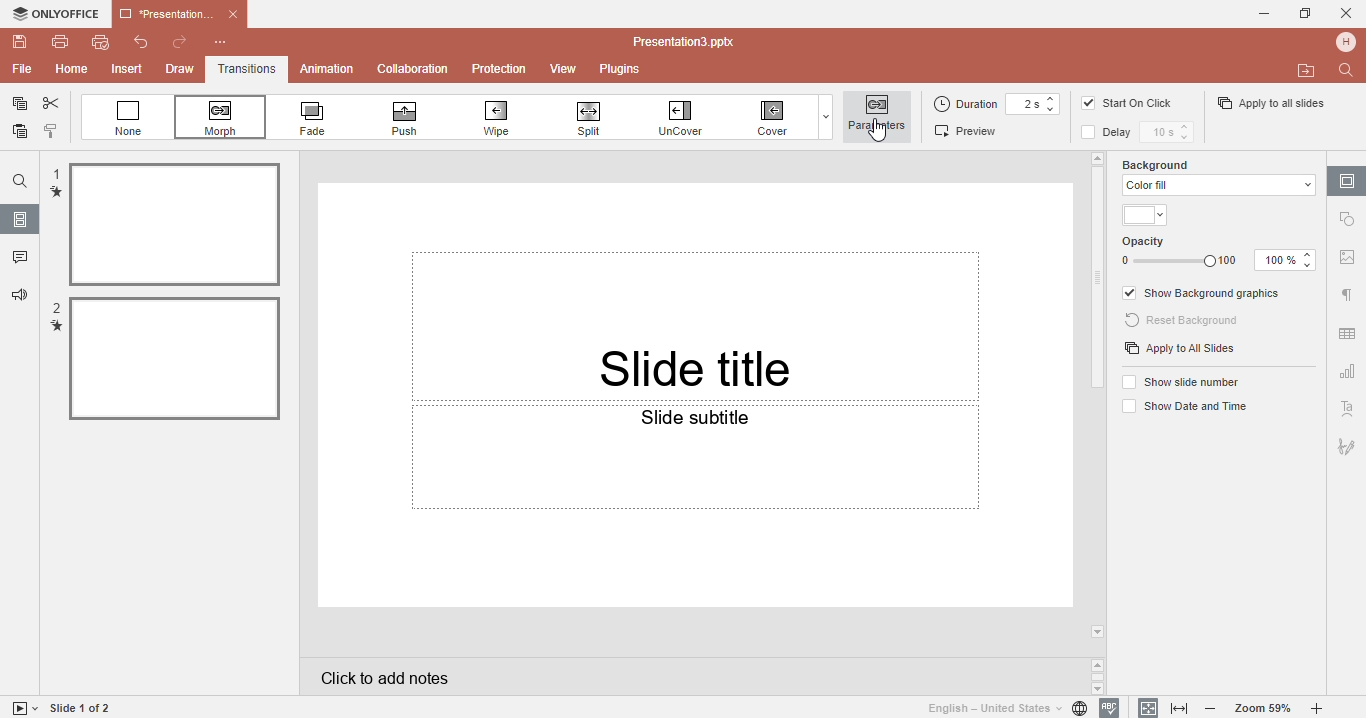 The width and height of the screenshot is (1366, 718). What do you see at coordinates (57, 328) in the screenshot?
I see `transition mark` at bounding box center [57, 328].